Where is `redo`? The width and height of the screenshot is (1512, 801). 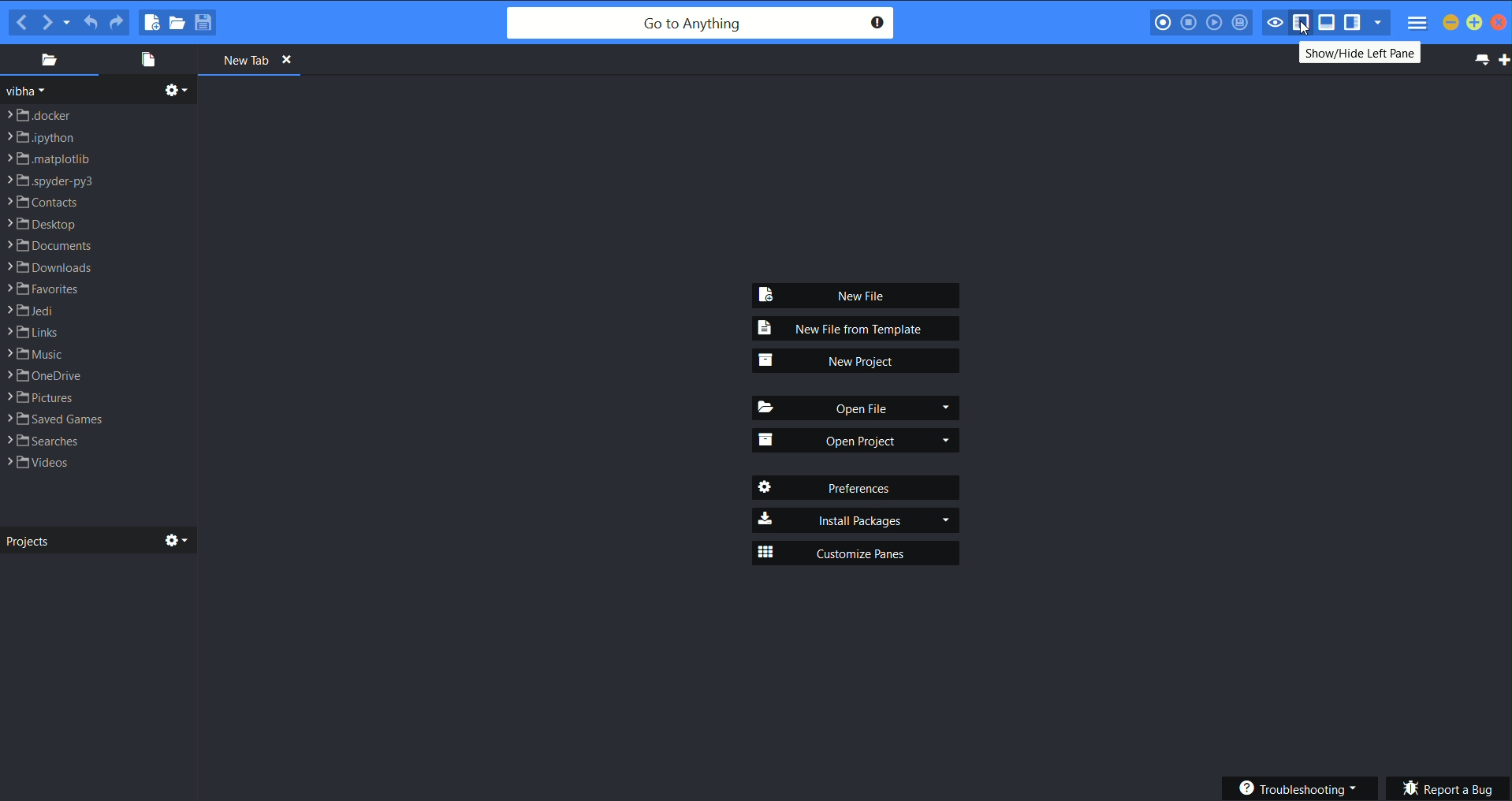 redo is located at coordinates (117, 20).